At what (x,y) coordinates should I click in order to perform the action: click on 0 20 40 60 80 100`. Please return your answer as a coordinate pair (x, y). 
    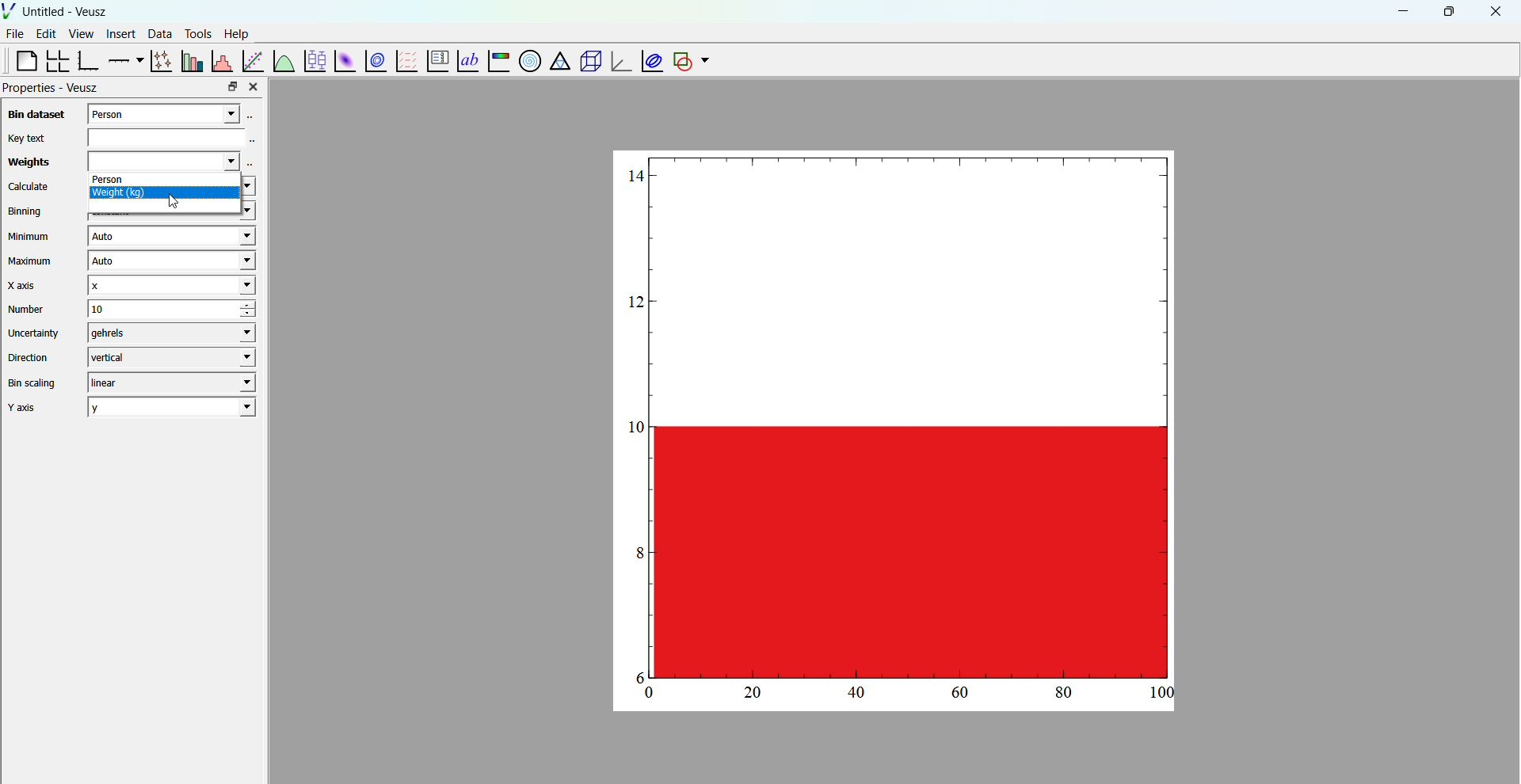
    Looking at the image, I should click on (902, 696).